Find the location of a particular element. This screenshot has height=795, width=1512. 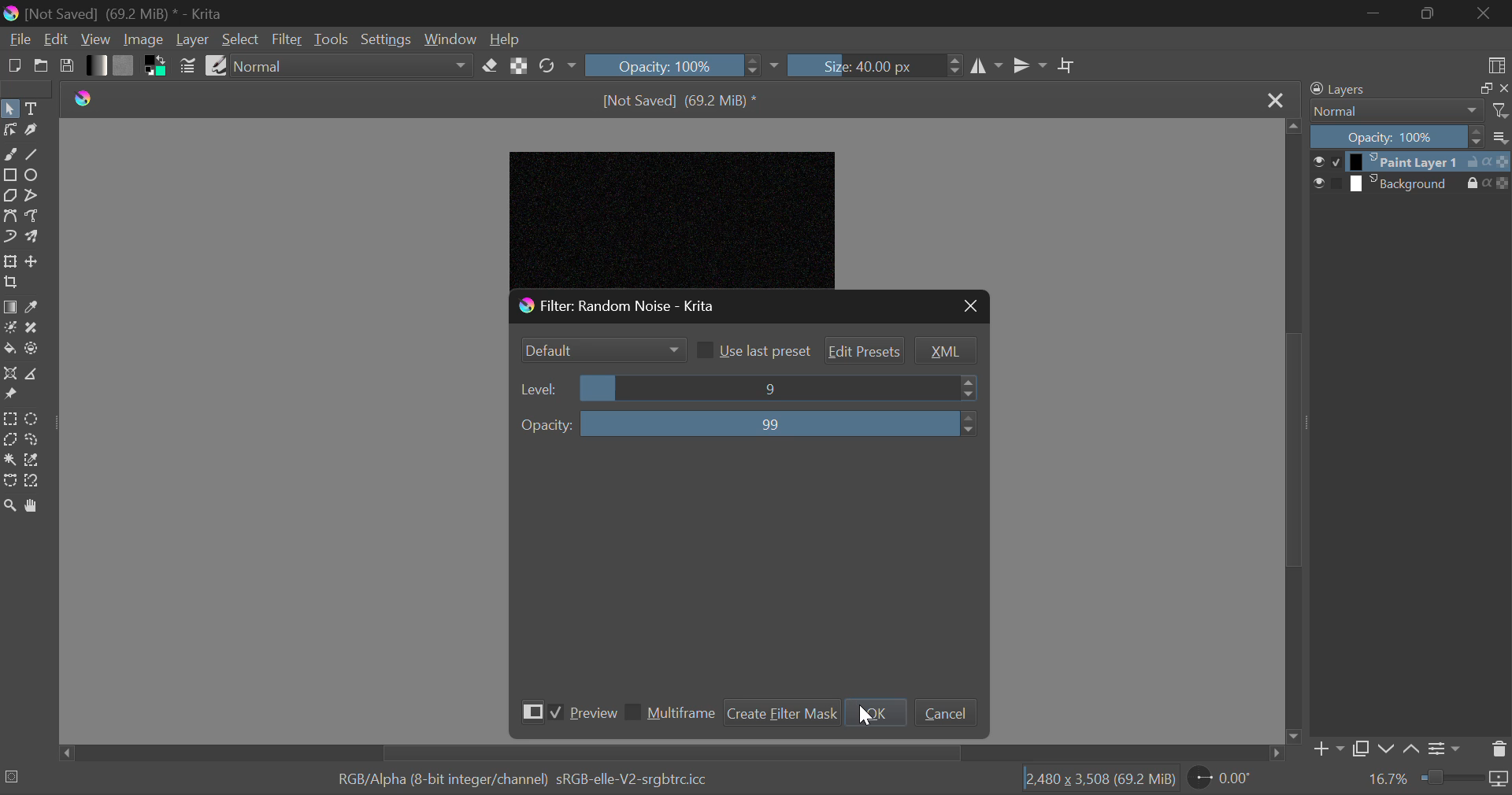

alpha is located at coordinates (1488, 161).